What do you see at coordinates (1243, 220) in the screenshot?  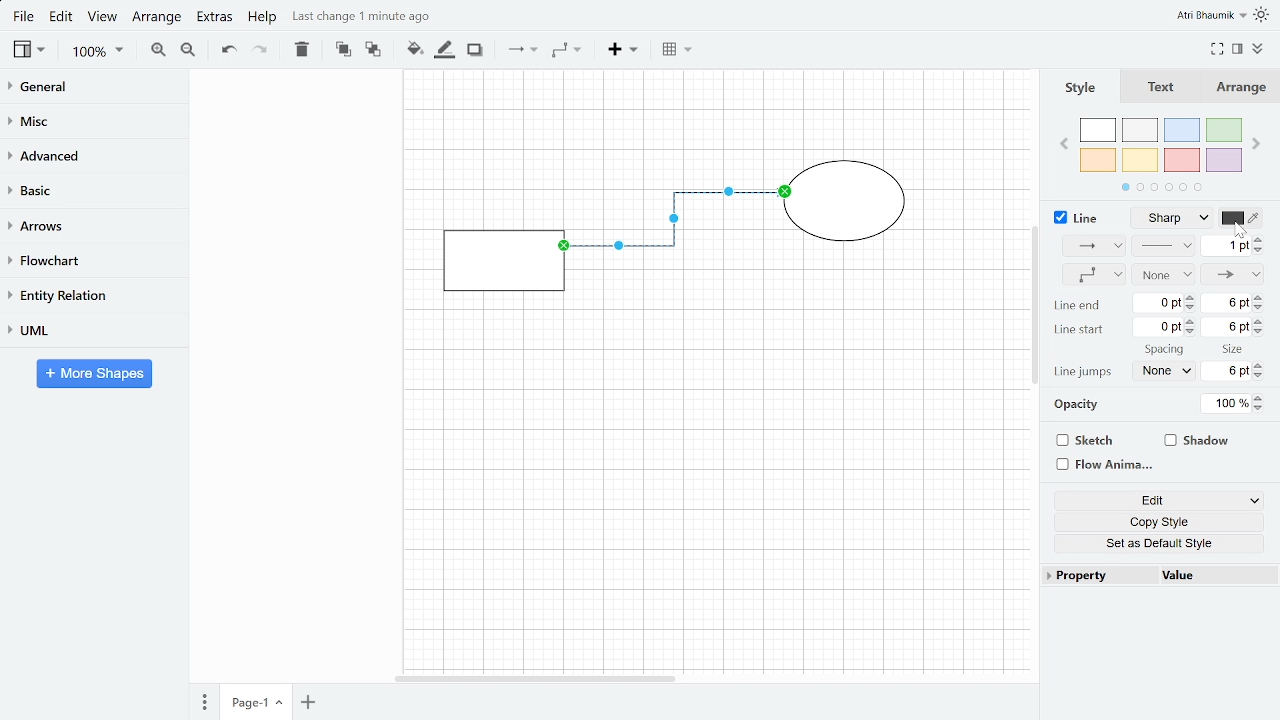 I see `Line color` at bounding box center [1243, 220].